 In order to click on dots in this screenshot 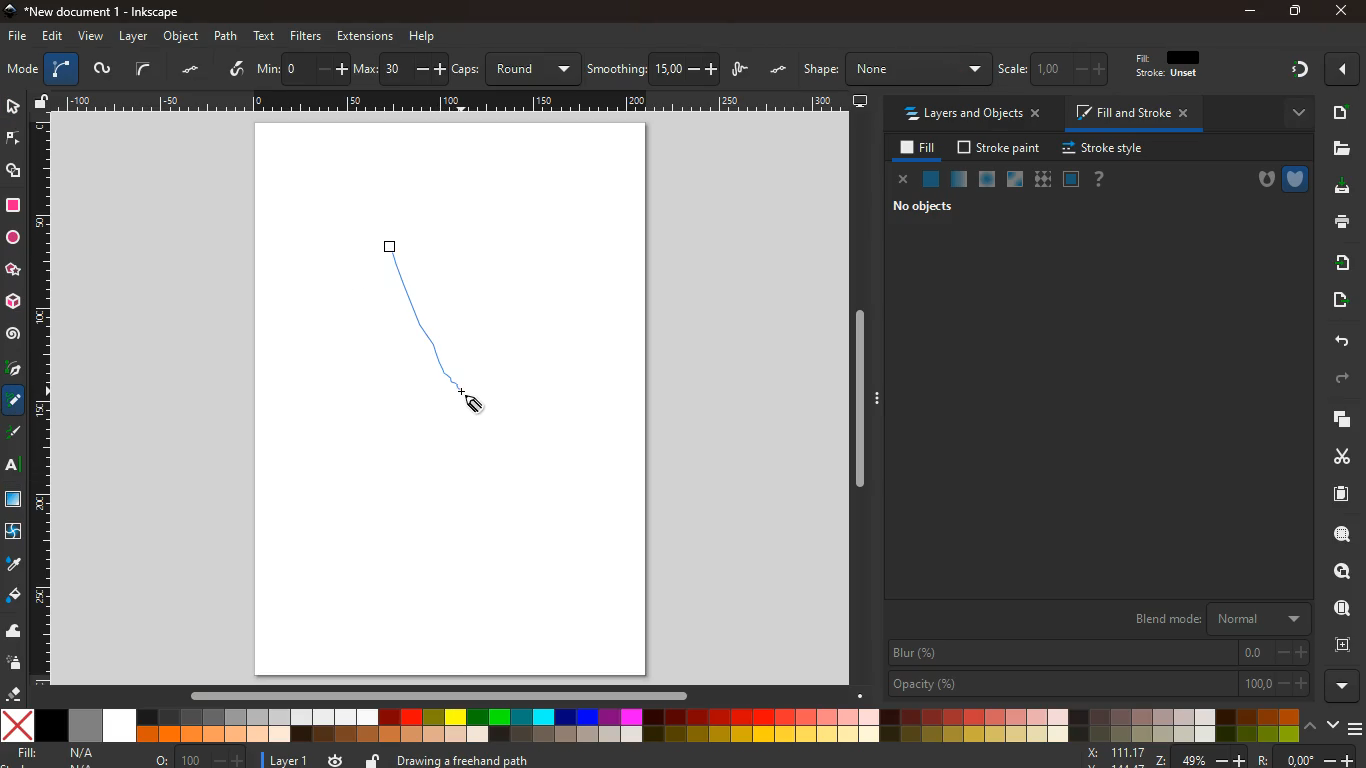, I will do `click(193, 70)`.